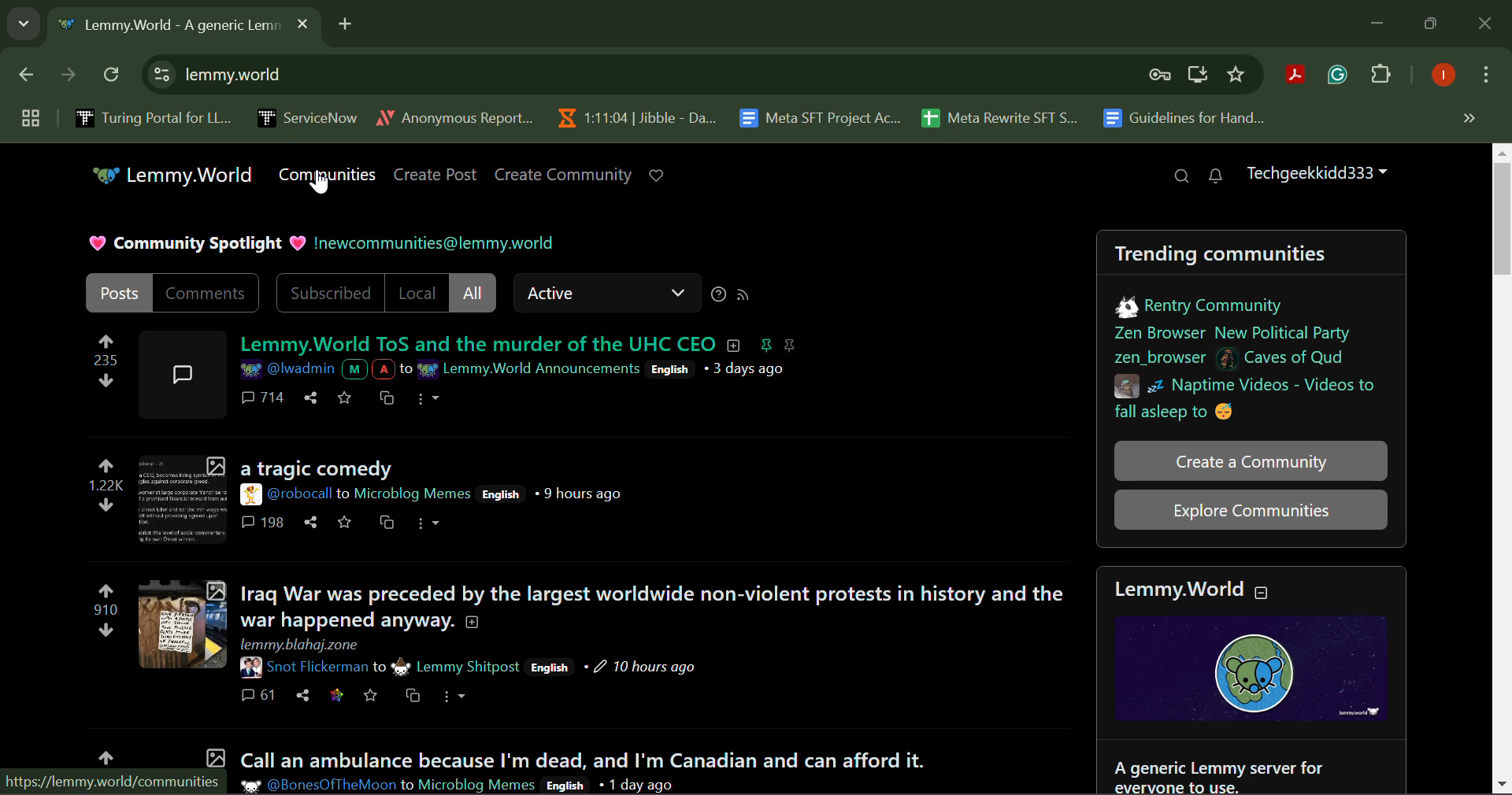  I want to click on Donate to Lemmy, so click(658, 176).